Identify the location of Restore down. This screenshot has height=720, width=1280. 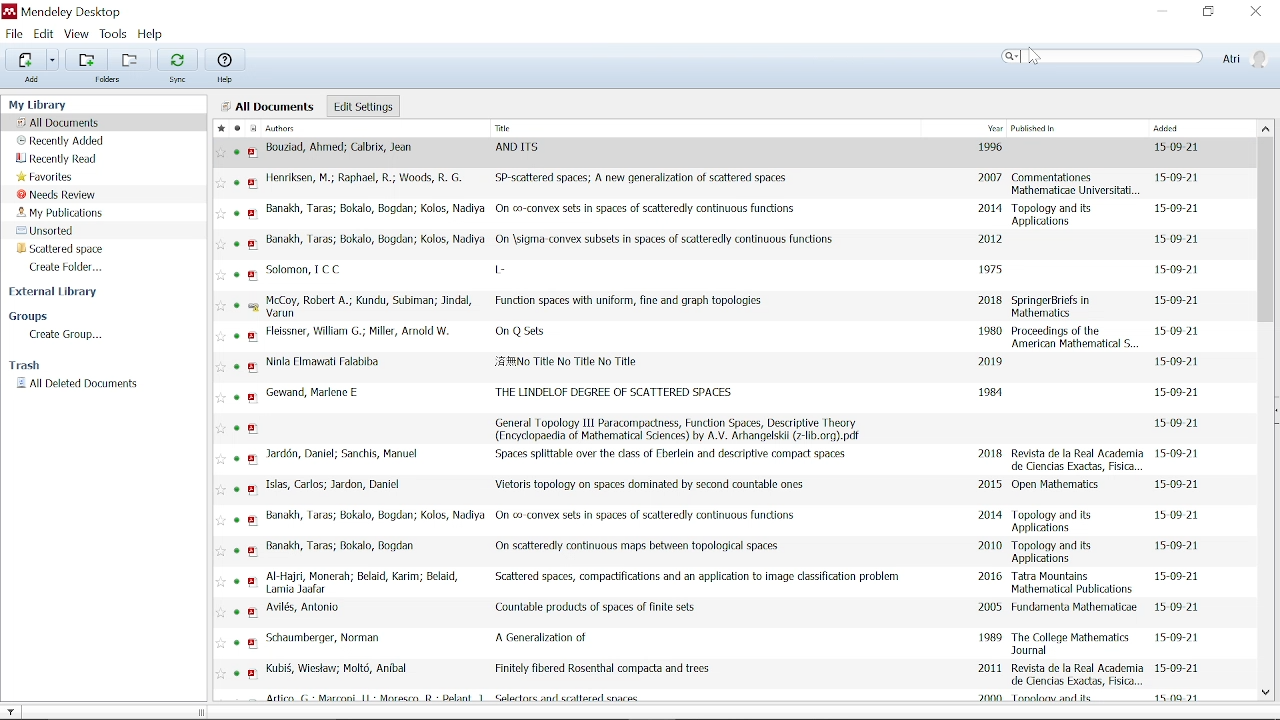
(1206, 12).